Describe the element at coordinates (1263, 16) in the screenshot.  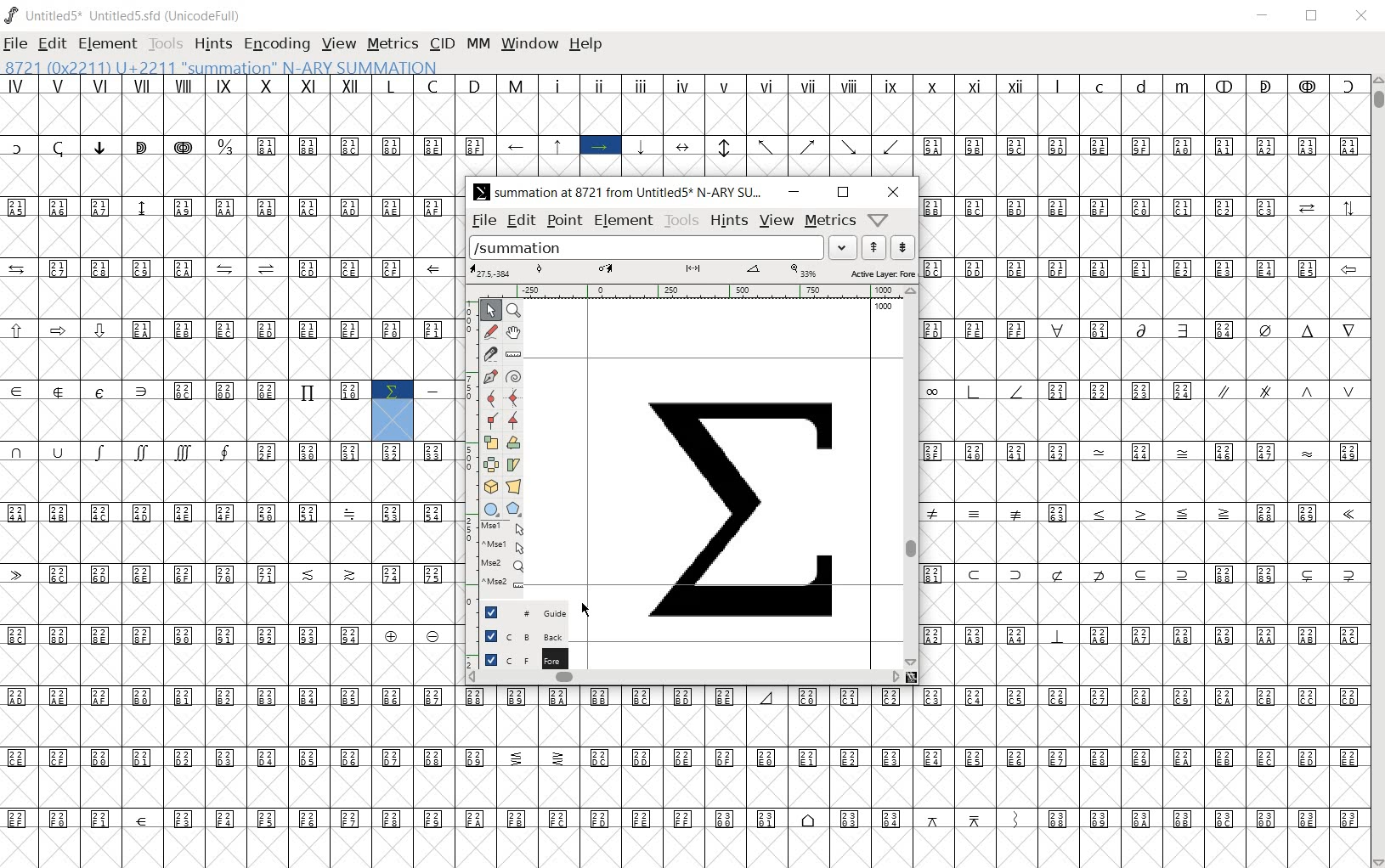
I see `MINIMIZE` at that location.